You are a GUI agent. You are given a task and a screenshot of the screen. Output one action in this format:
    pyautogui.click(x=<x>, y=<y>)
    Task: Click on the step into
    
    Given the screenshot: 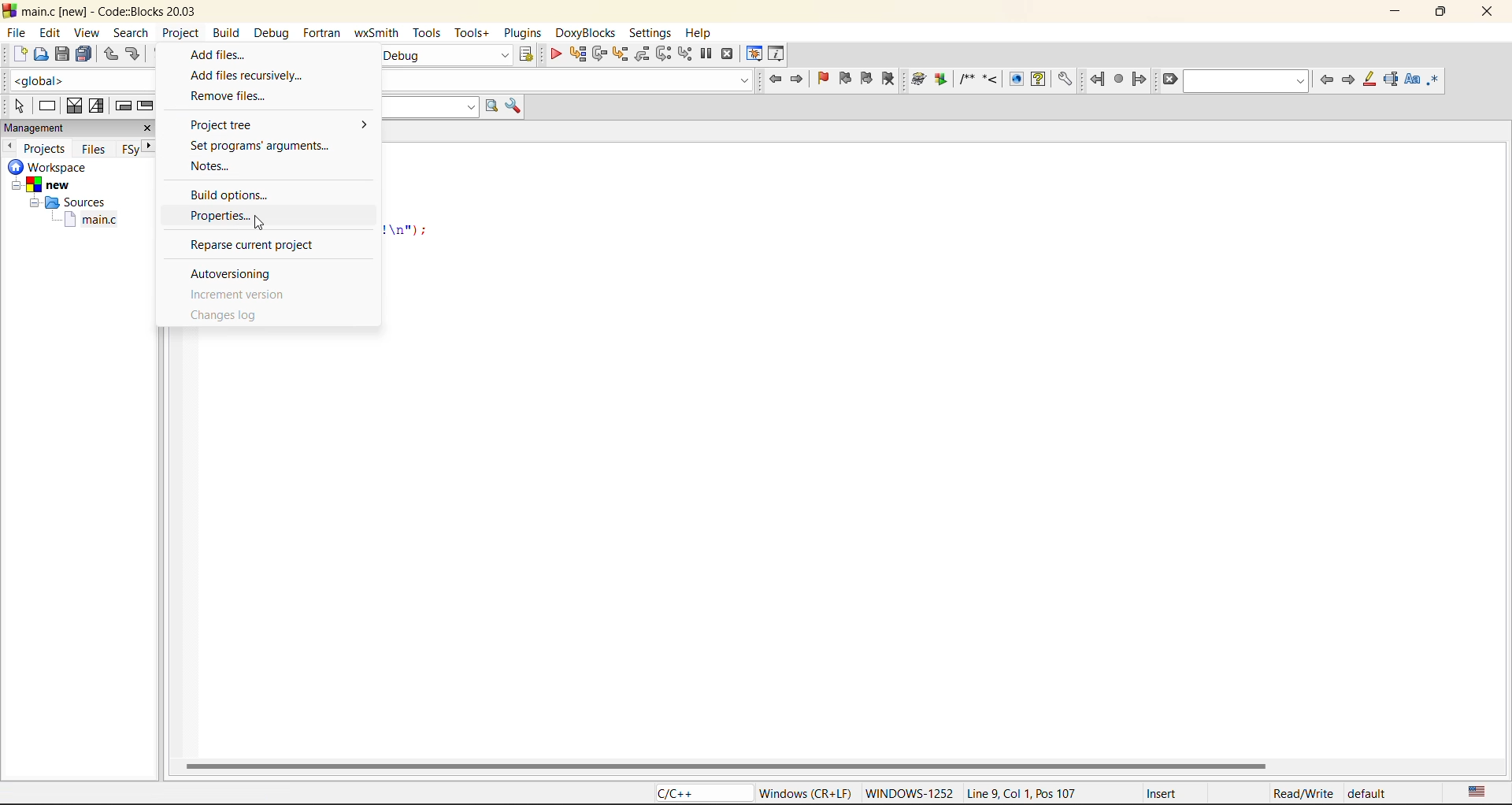 What is the action you would take?
    pyautogui.click(x=620, y=56)
    